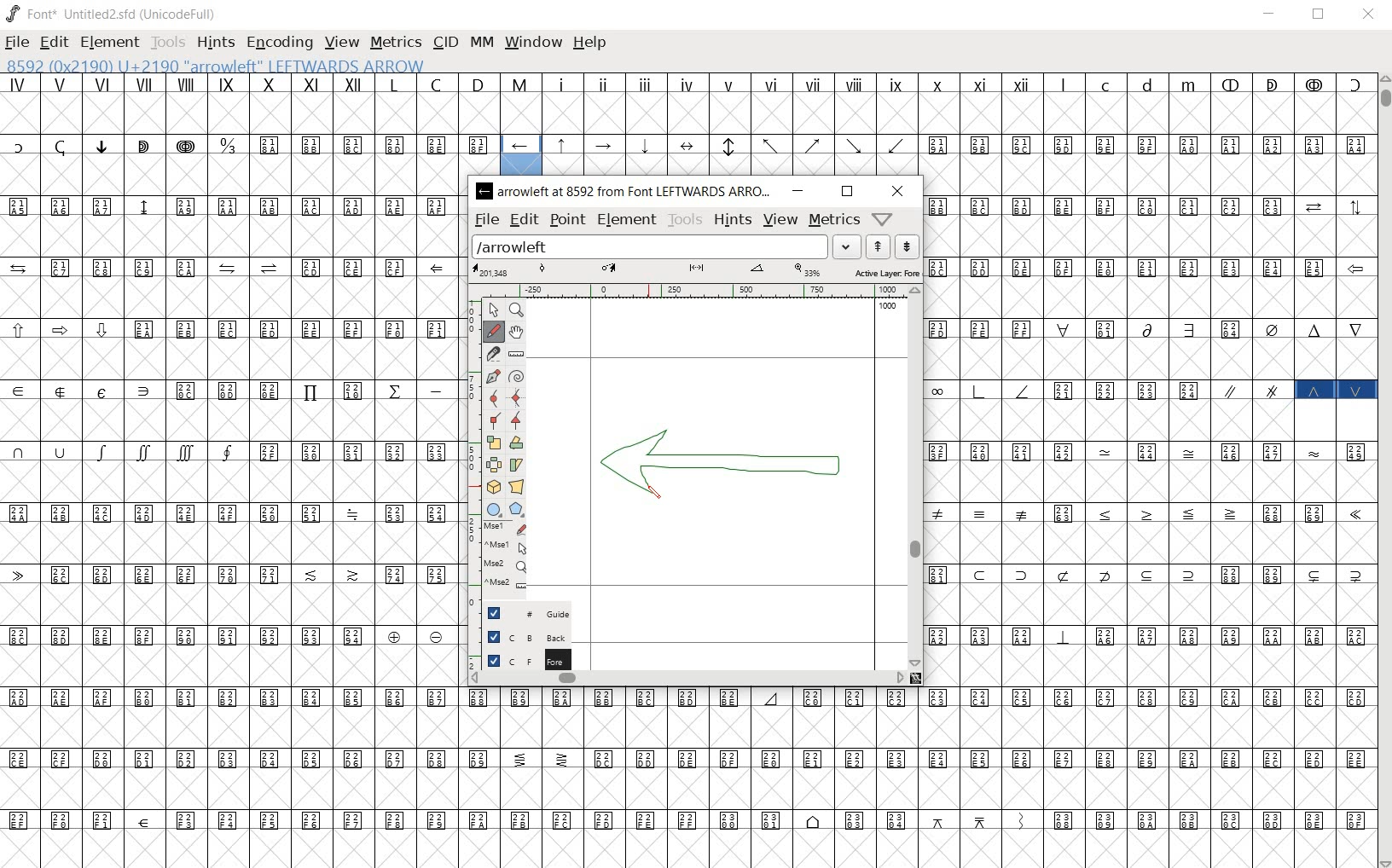 This screenshot has height=868, width=1392. I want to click on scrollbar, so click(1383, 471).